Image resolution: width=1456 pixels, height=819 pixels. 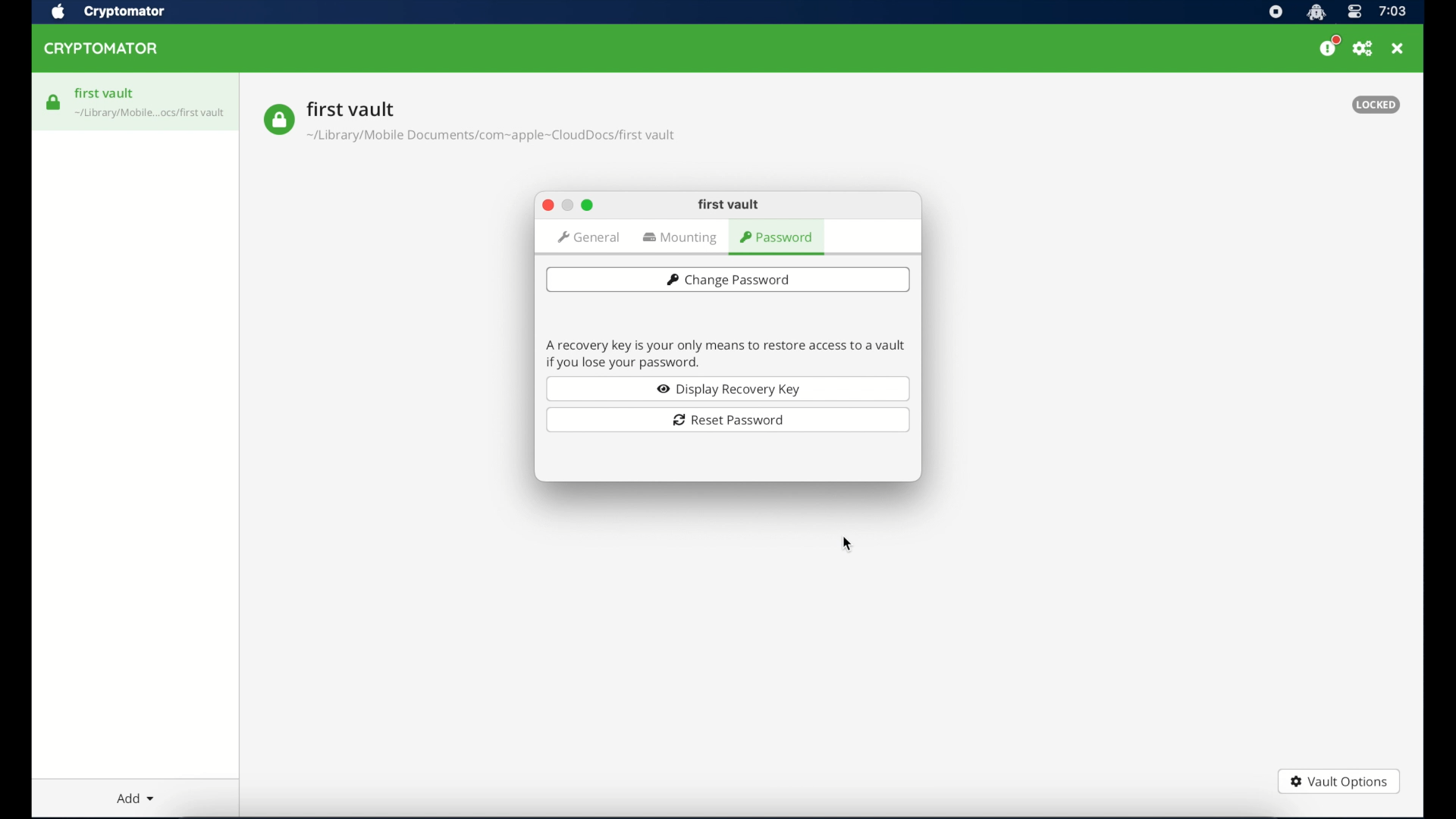 I want to click on add dropdown, so click(x=136, y=798).